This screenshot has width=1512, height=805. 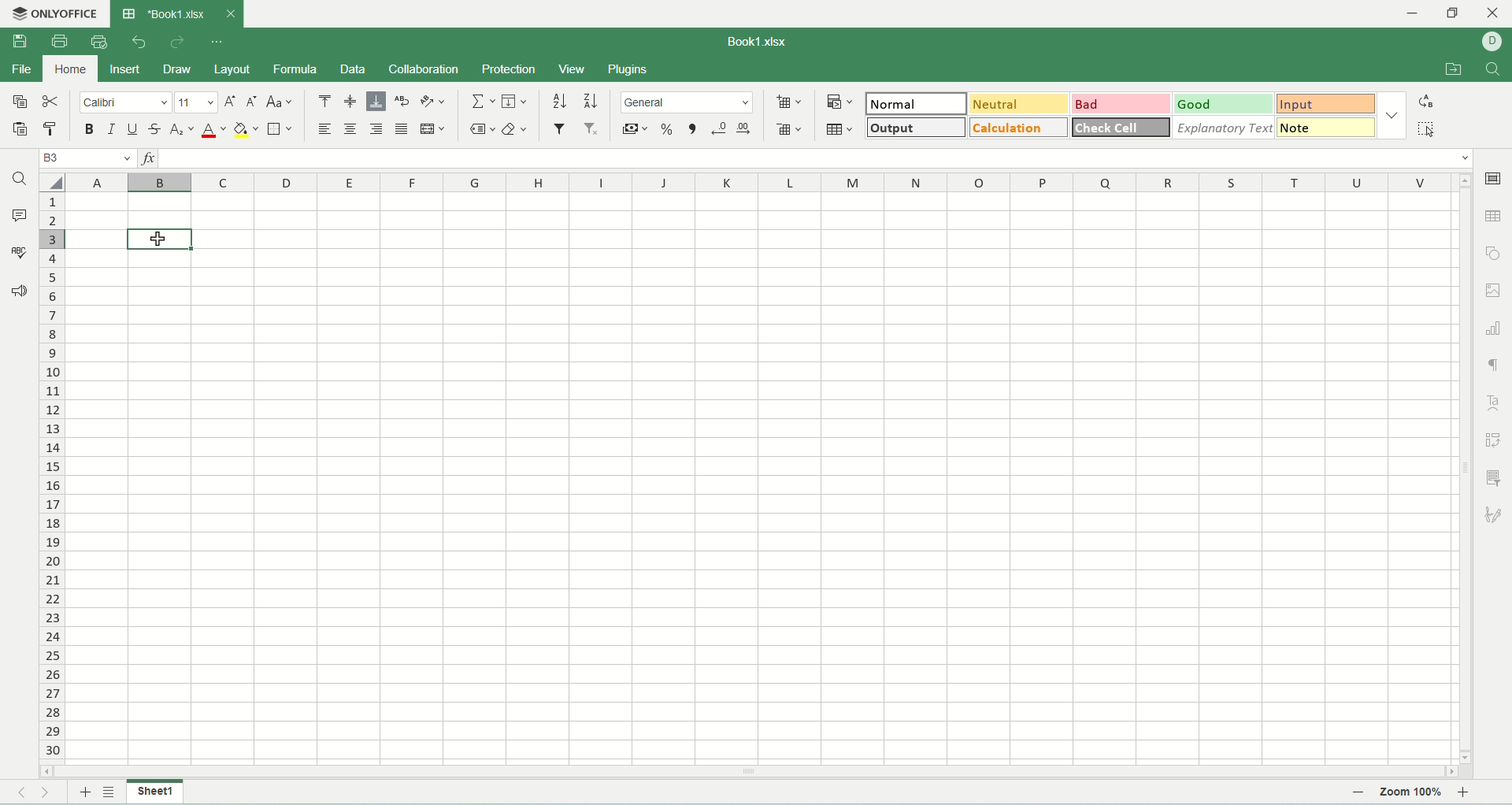 I want to click on redo, so click(x=177, y=43).